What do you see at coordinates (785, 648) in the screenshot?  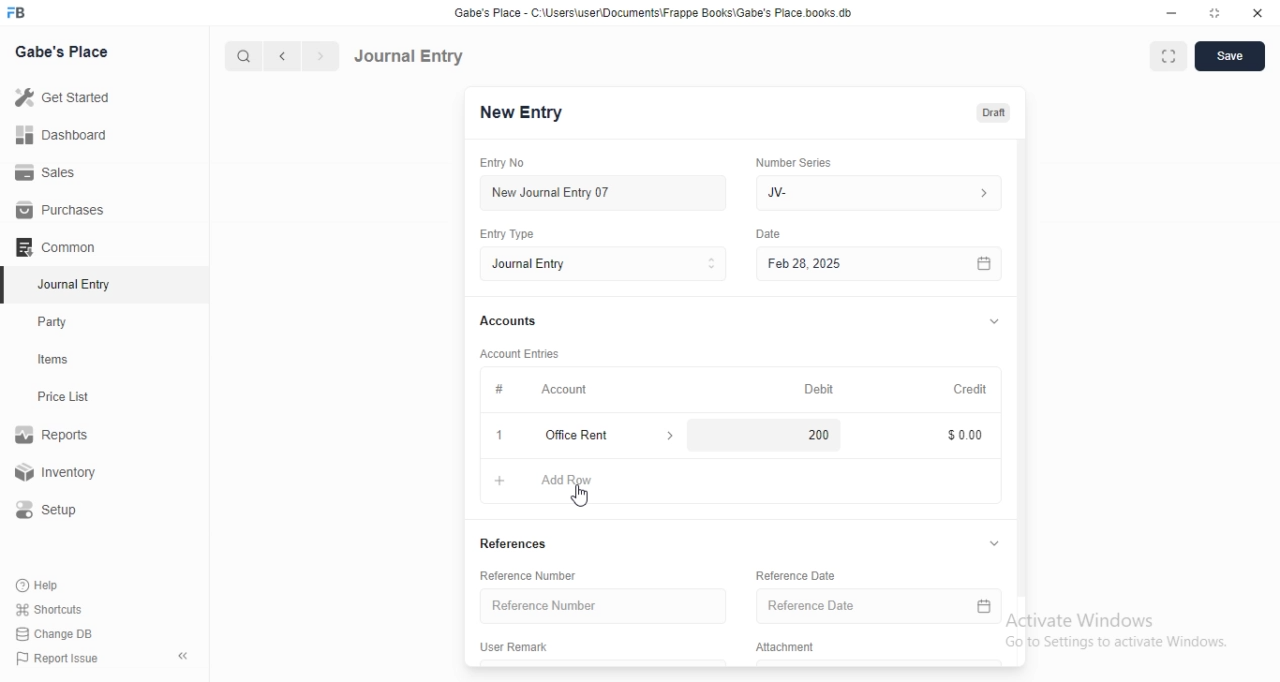 I see `Attachment` at bounding box center [785, 648].